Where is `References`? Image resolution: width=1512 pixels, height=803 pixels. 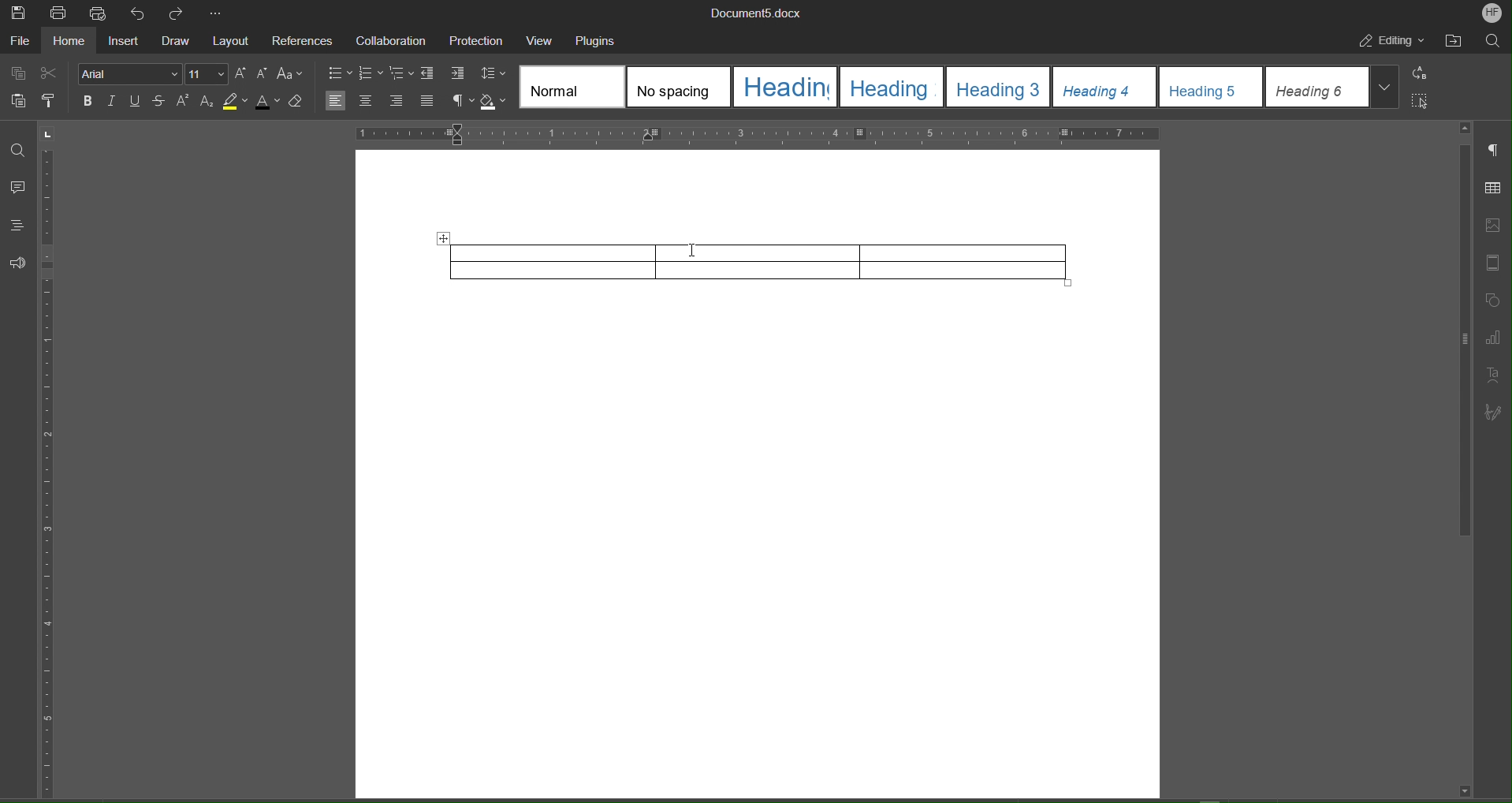 References is located at coordinates (303, 43).